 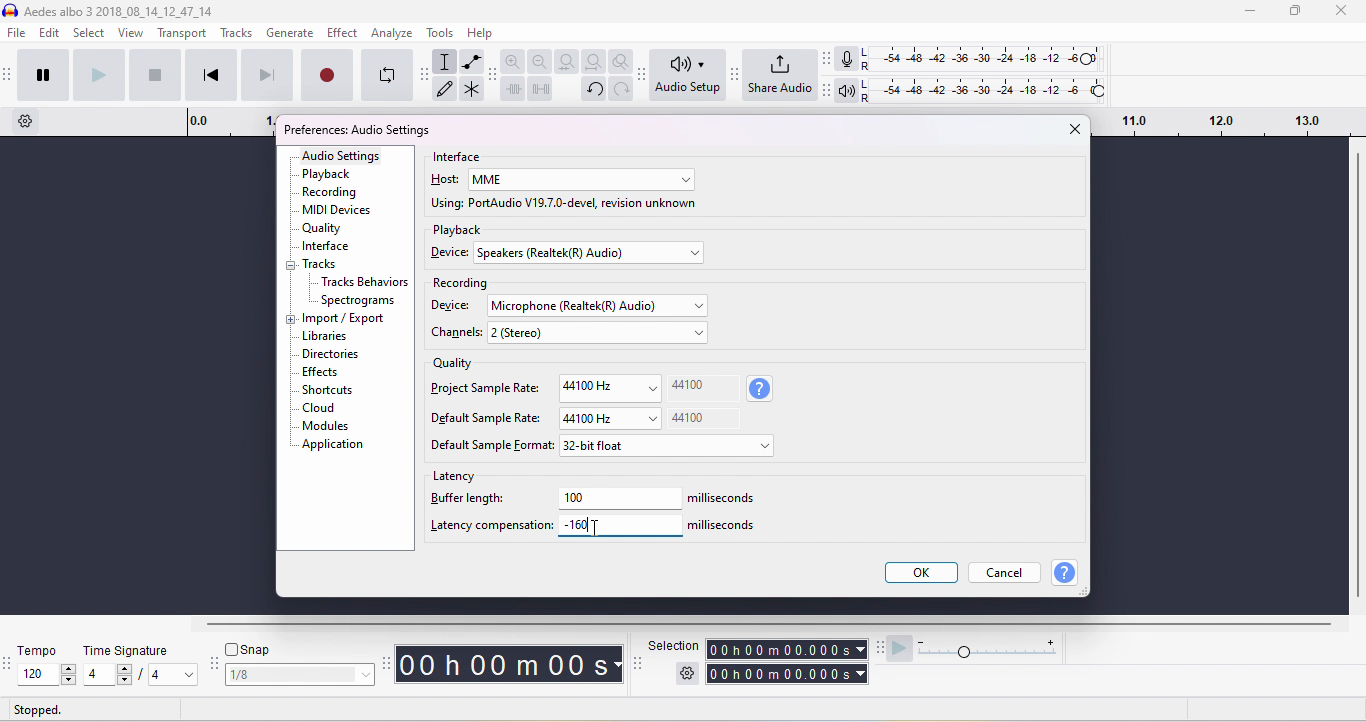 I want to click on share audio, so click(x=780, y=77).